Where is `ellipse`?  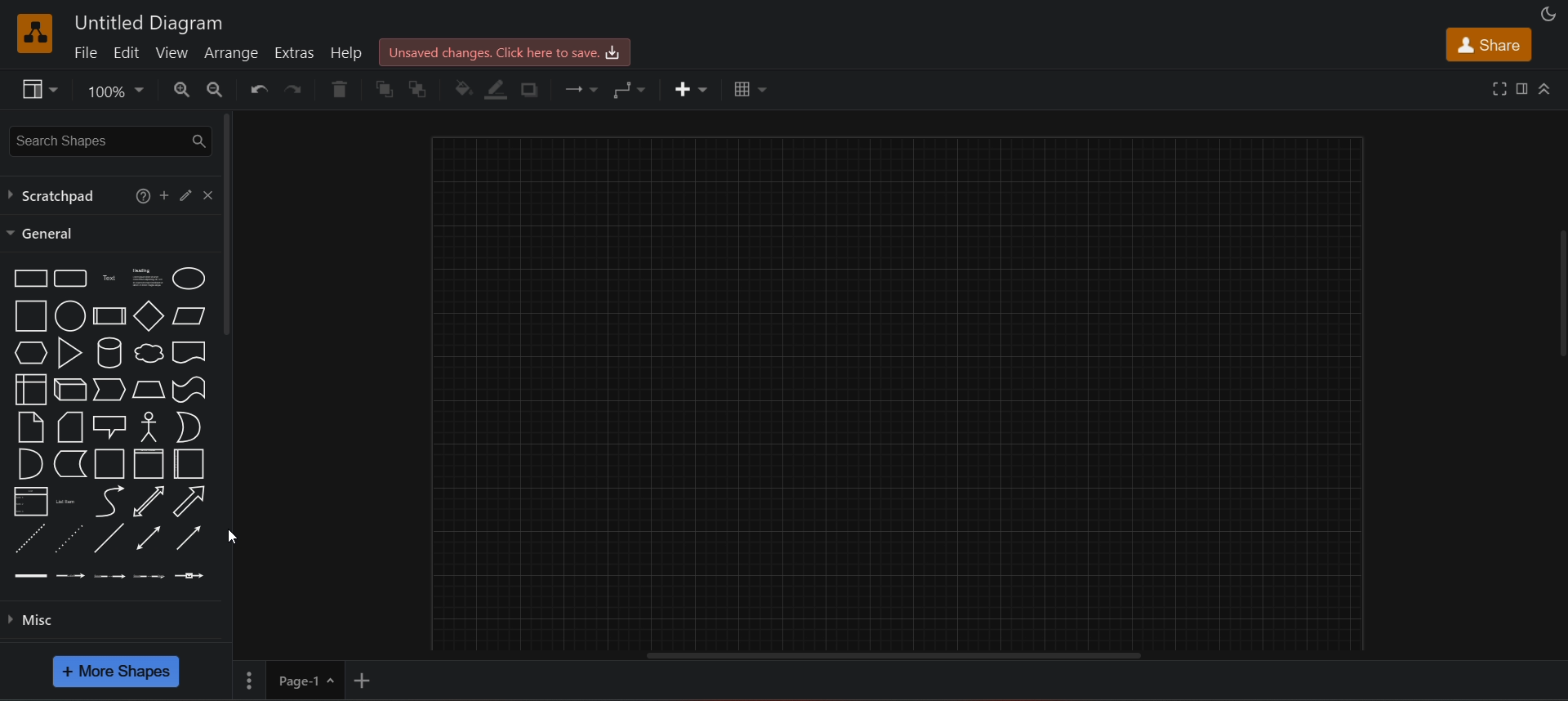
ellipse is located at coordinates (189, 277).